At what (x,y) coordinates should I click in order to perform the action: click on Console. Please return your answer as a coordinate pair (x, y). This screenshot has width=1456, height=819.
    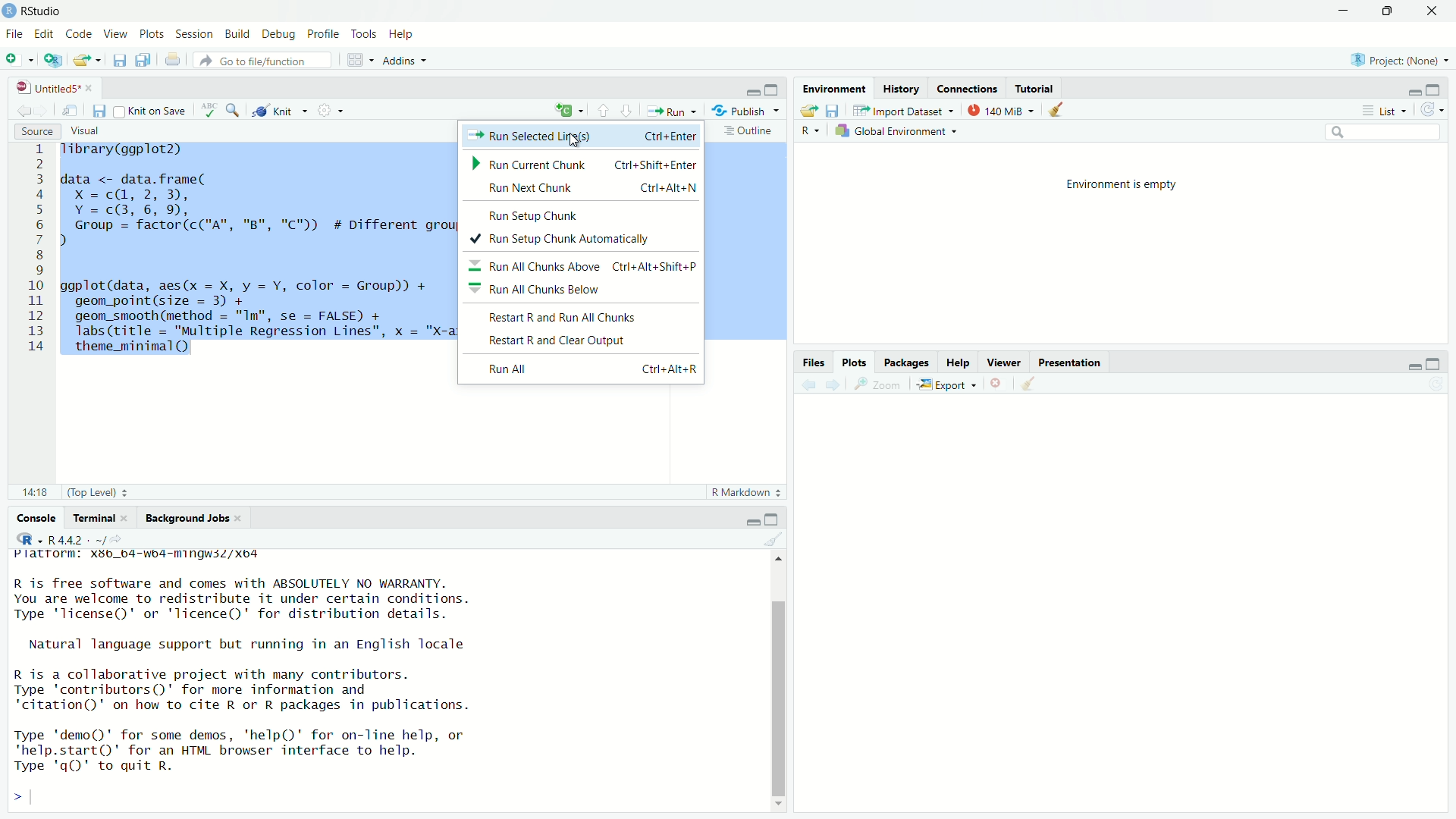
    Looking at the image, I should click on (27, 518).